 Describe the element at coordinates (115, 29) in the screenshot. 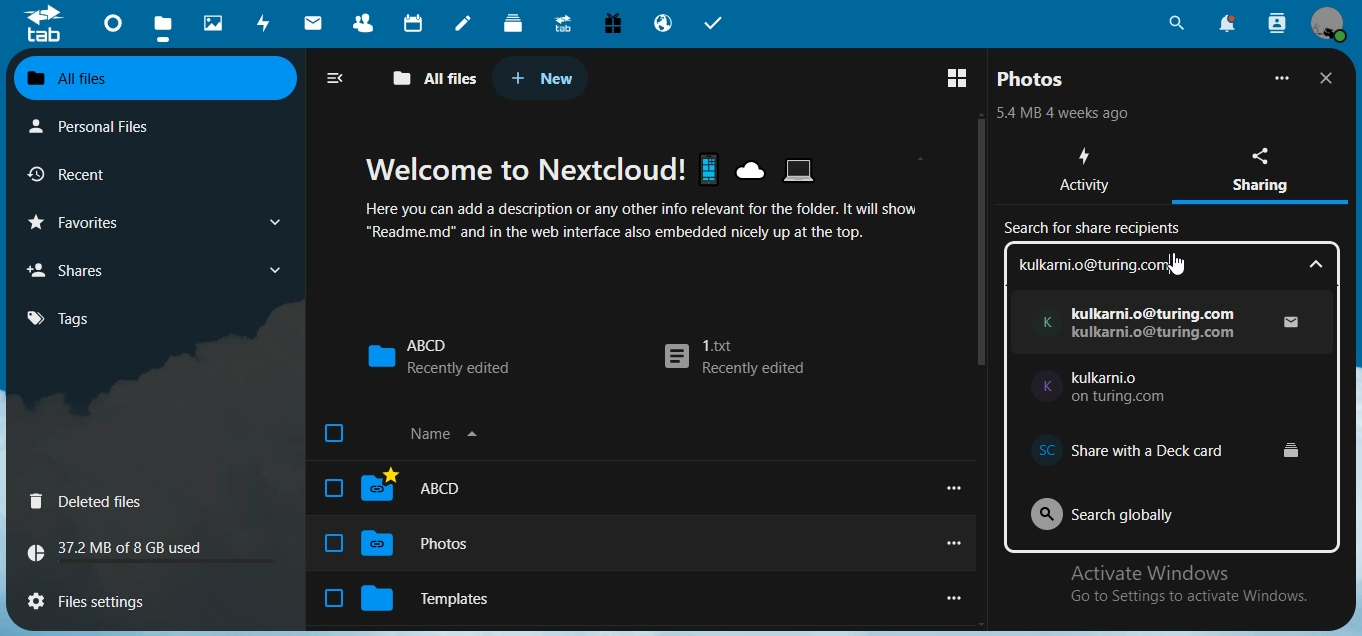

I see `dashboard` at that location.